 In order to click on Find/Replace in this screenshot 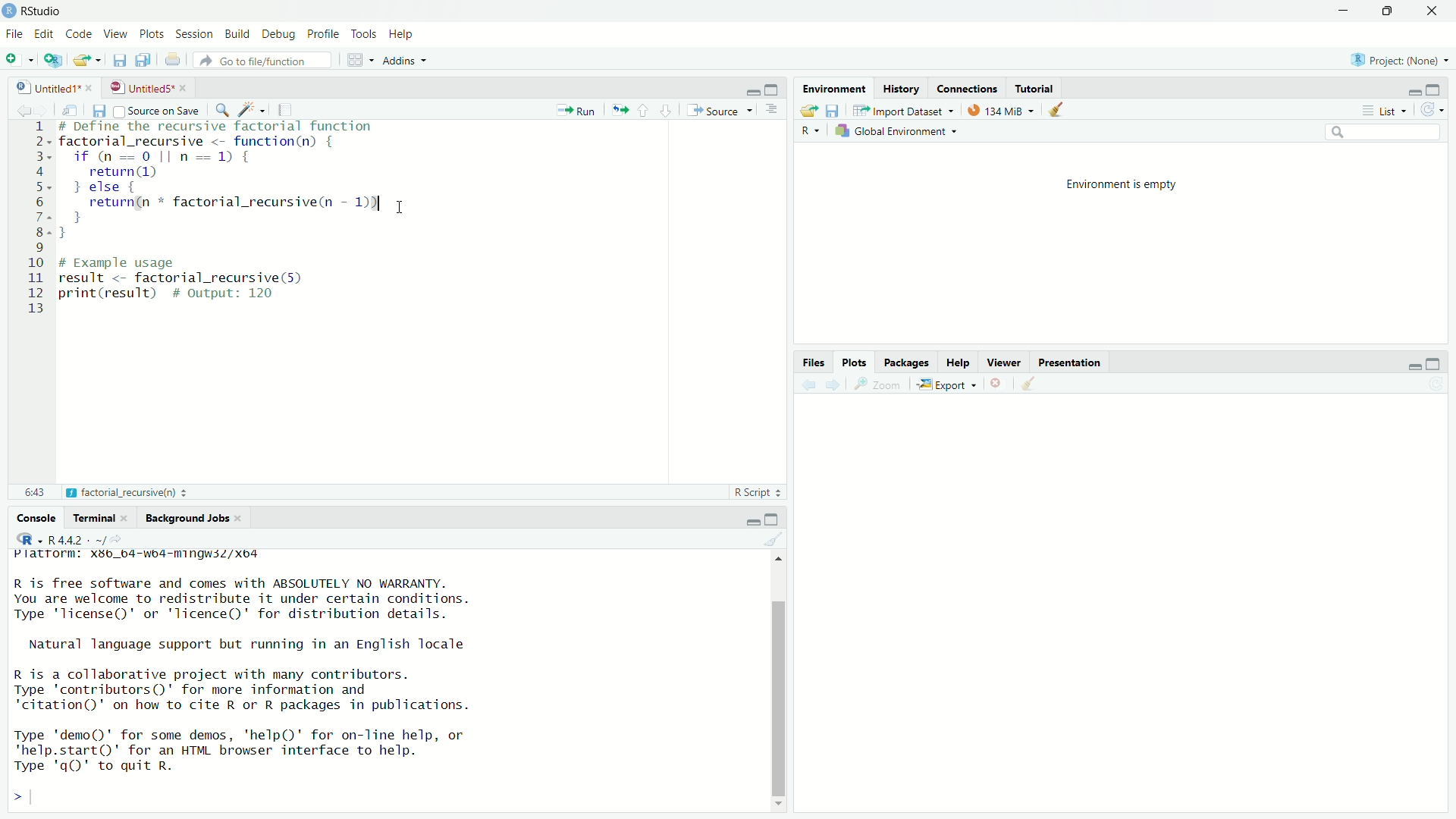, I will do `click(224, 108)`.